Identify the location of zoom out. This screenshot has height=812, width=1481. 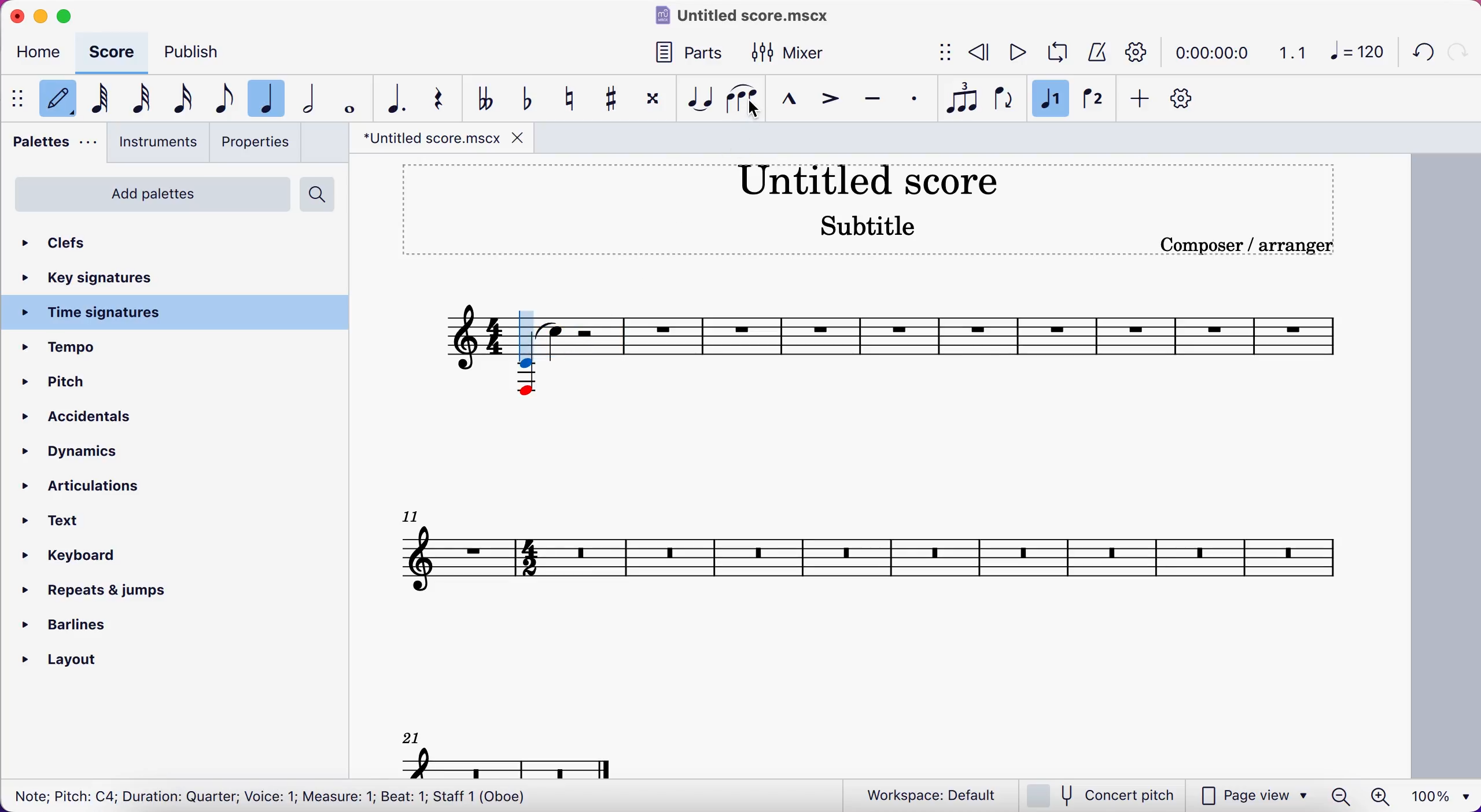
(1341, 796).